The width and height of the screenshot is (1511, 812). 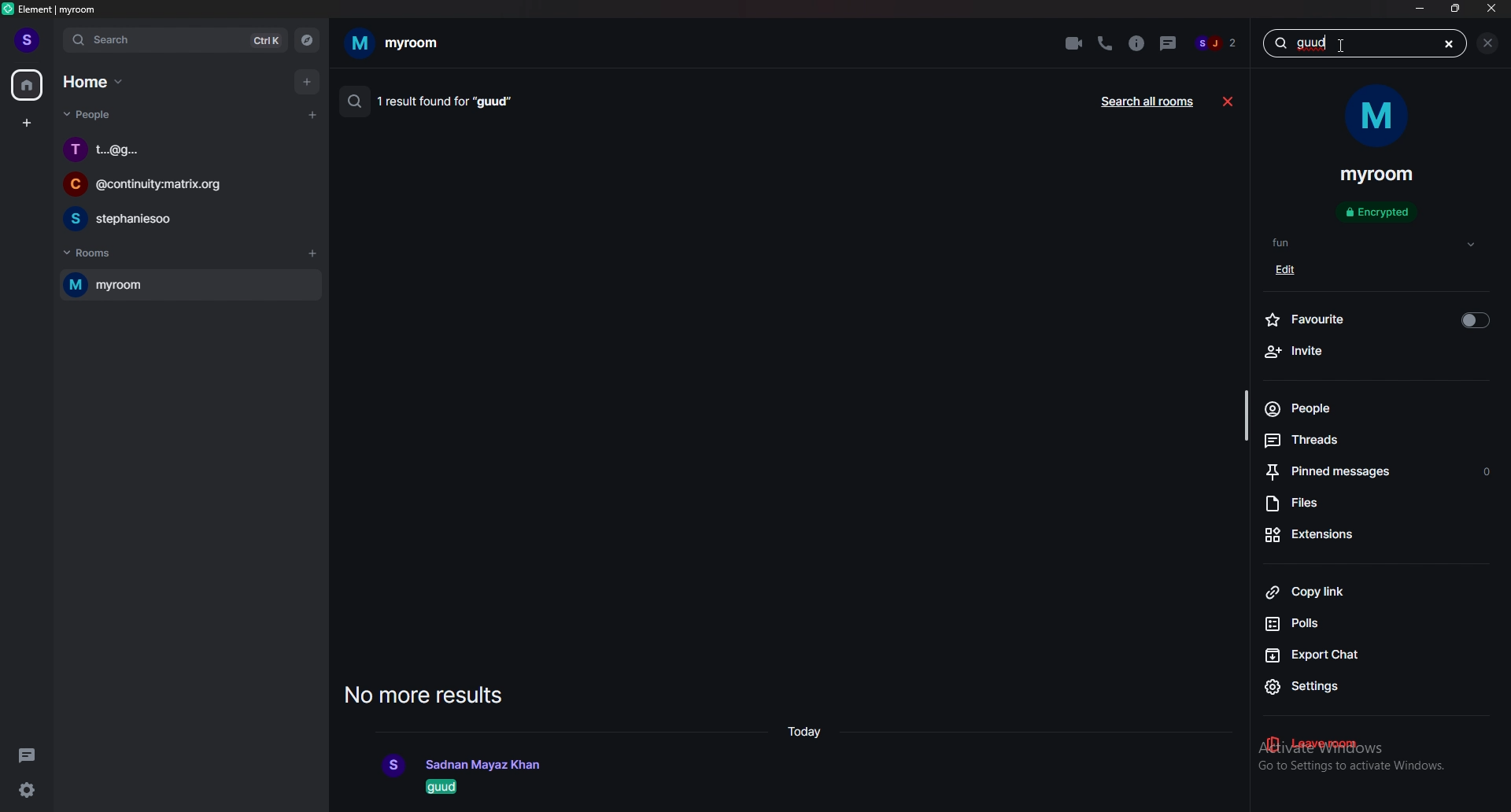 What do you see at coordinates (1305, 269) in the screenshot?
I see `edit tag` at bounding box center [1305, 269].